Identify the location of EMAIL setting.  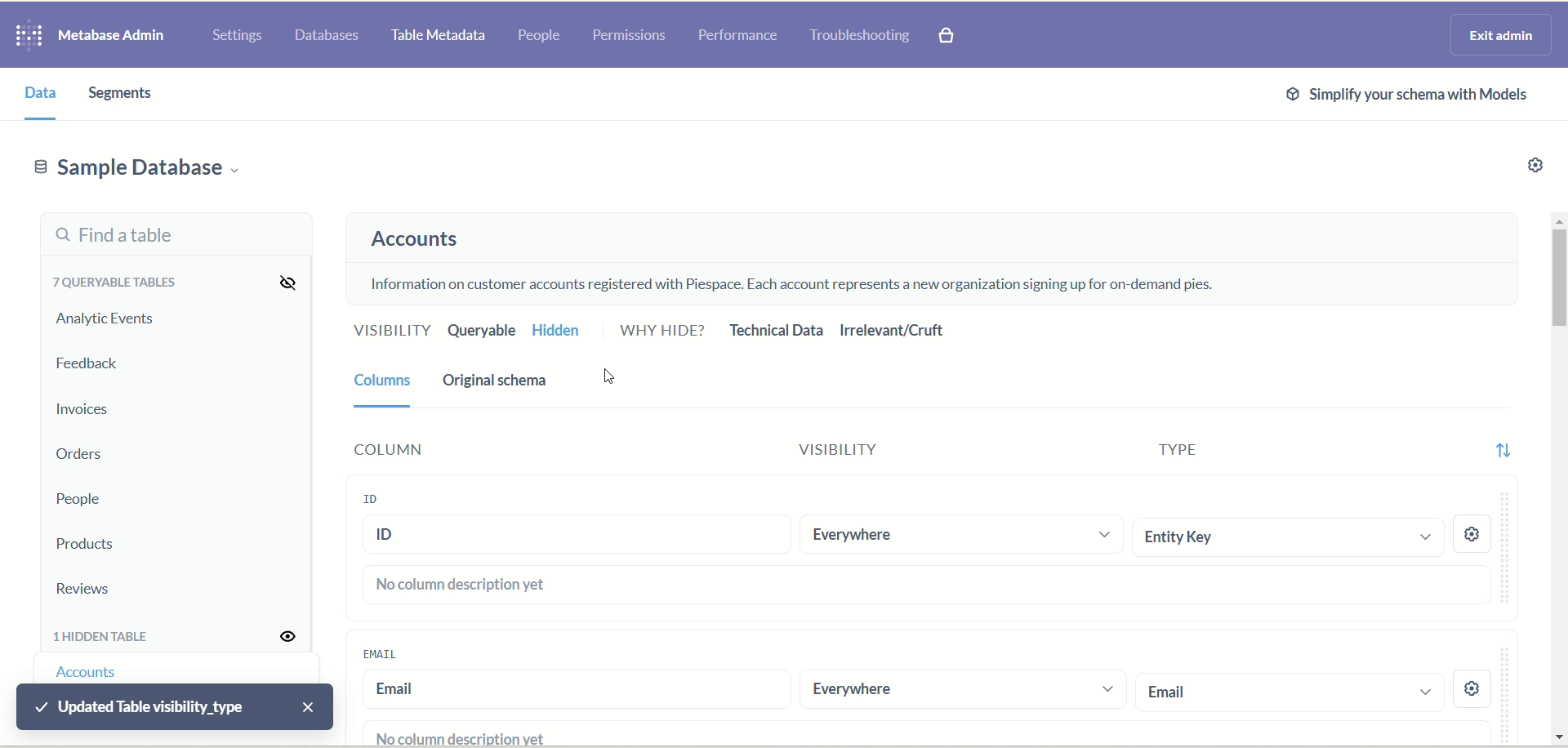
(1486, 690).